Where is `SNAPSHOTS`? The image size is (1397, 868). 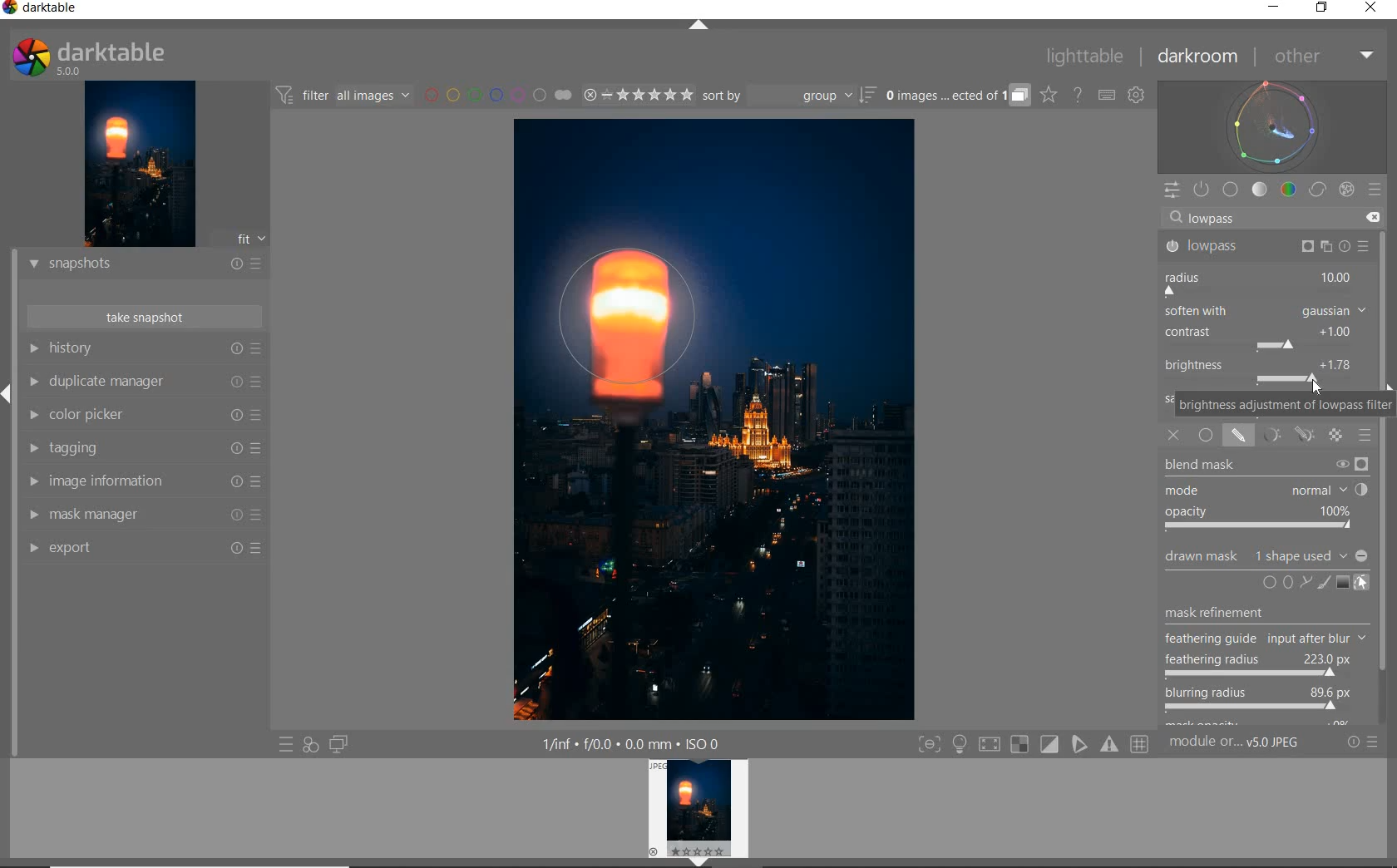
SNAPSHOTS is located at coordinates (146, 264).